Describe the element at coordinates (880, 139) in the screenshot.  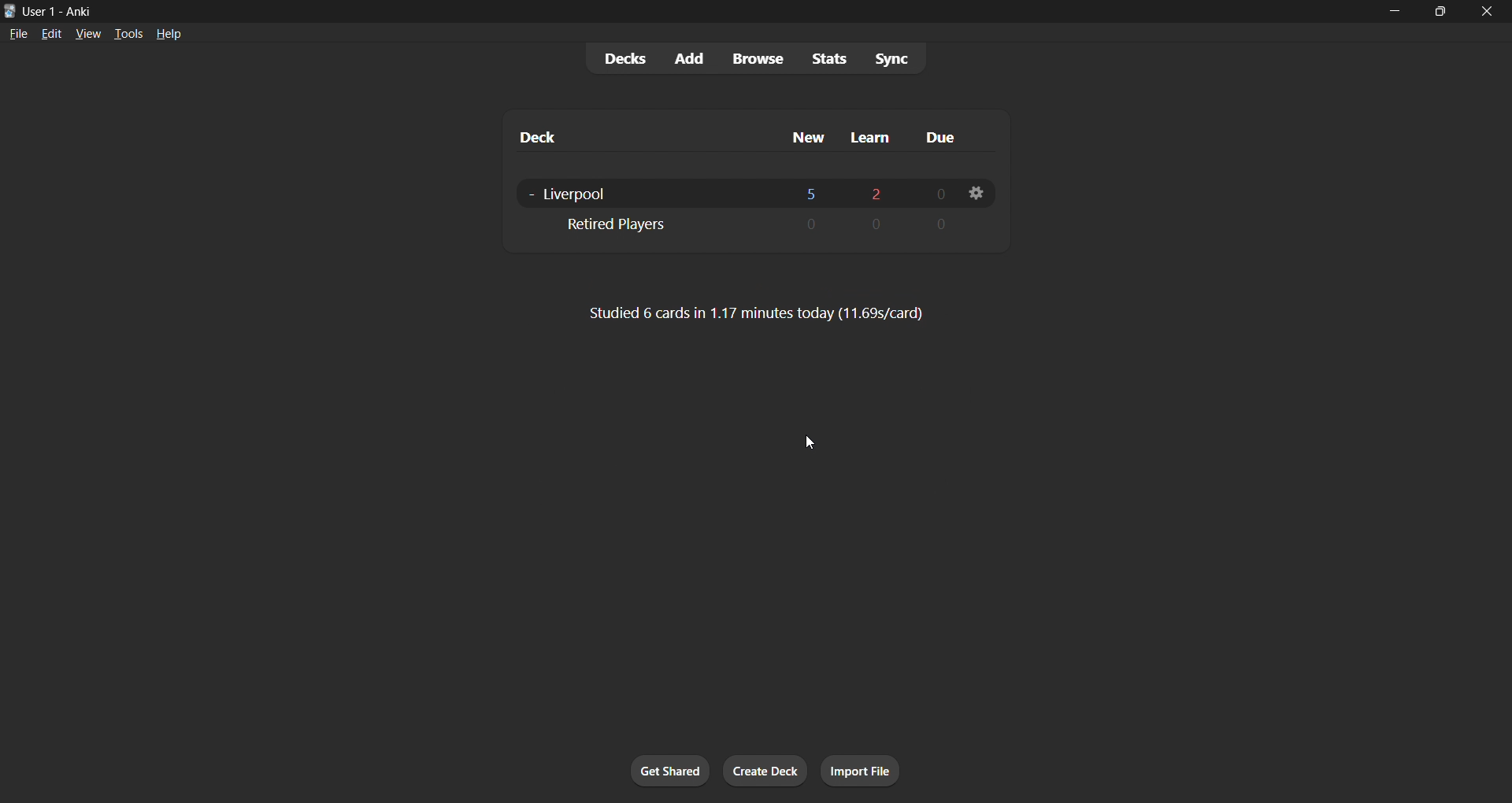
I see `learn cards column` at that location.